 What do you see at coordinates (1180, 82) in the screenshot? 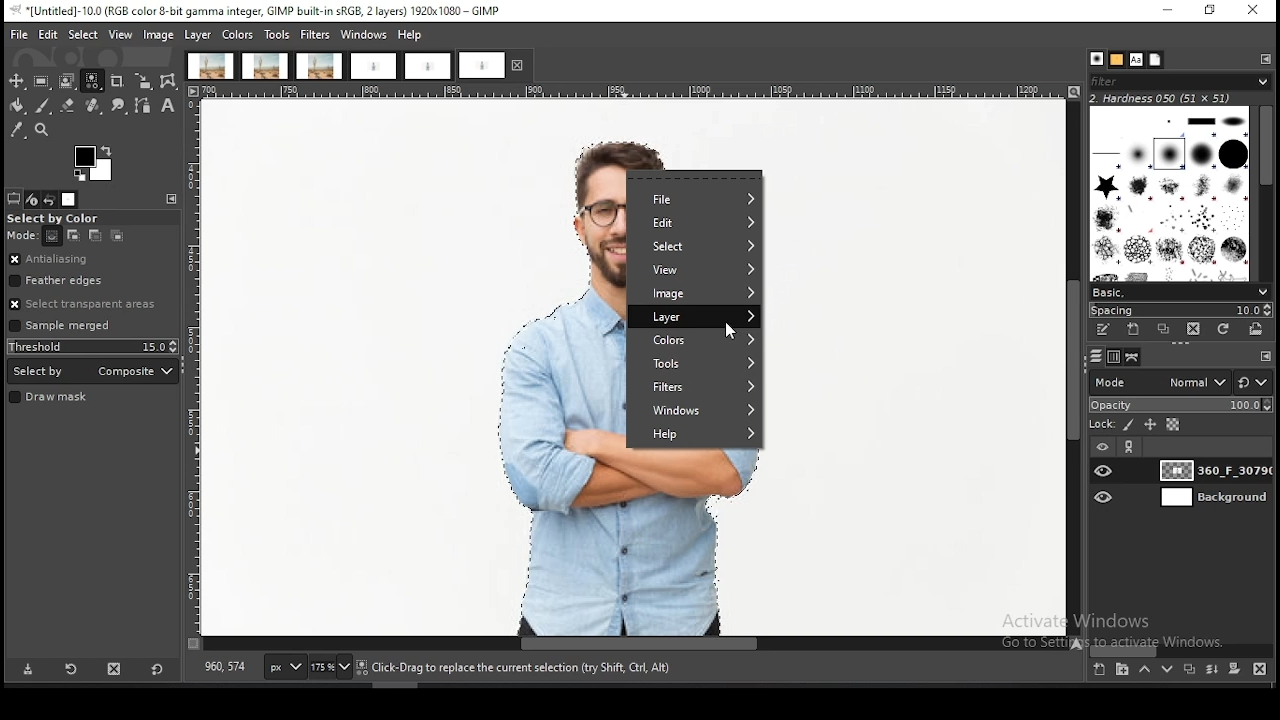
I see `filter brushes` at bounding box center [1180, 82].